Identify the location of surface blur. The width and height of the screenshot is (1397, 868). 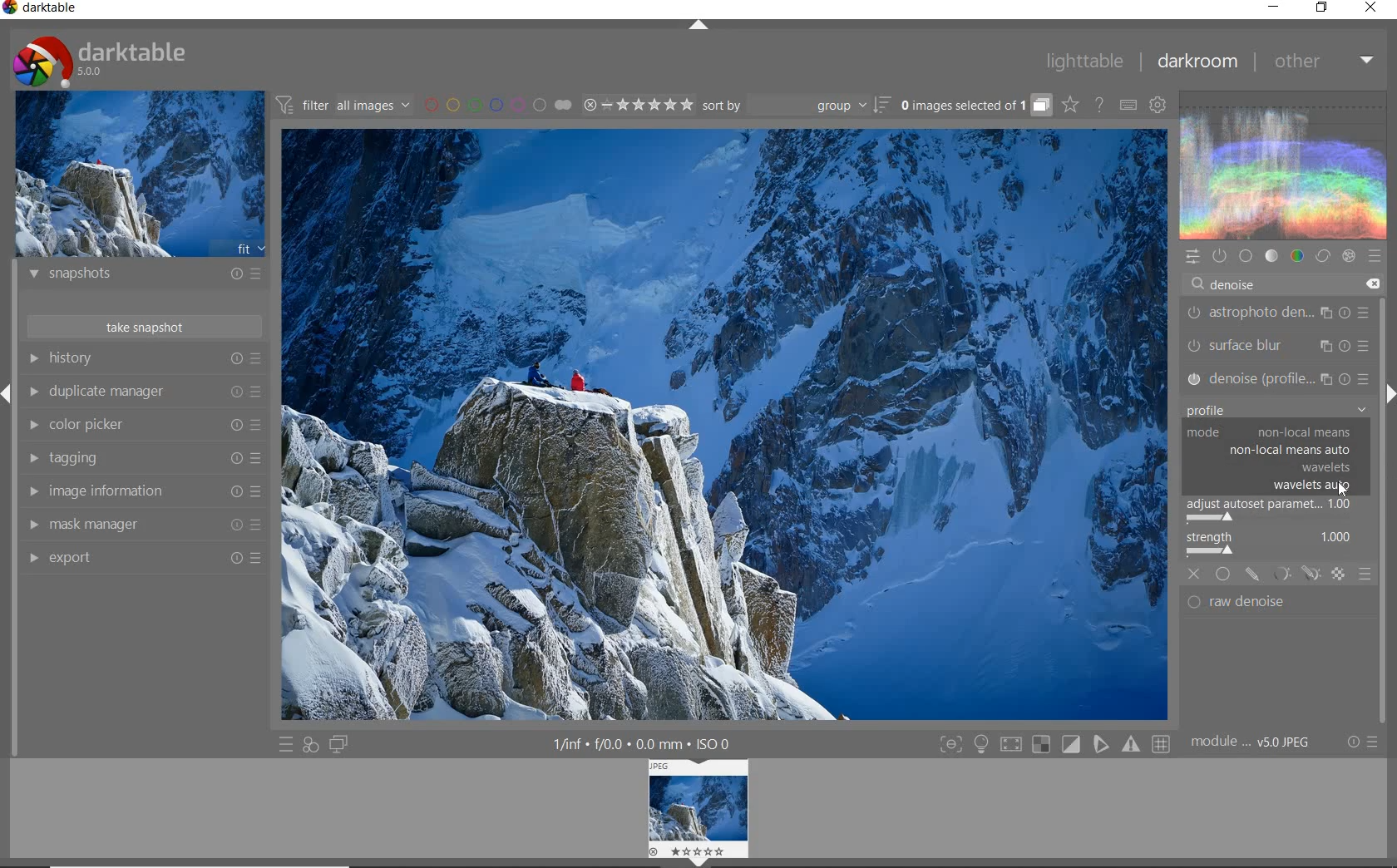
(1281, 346).